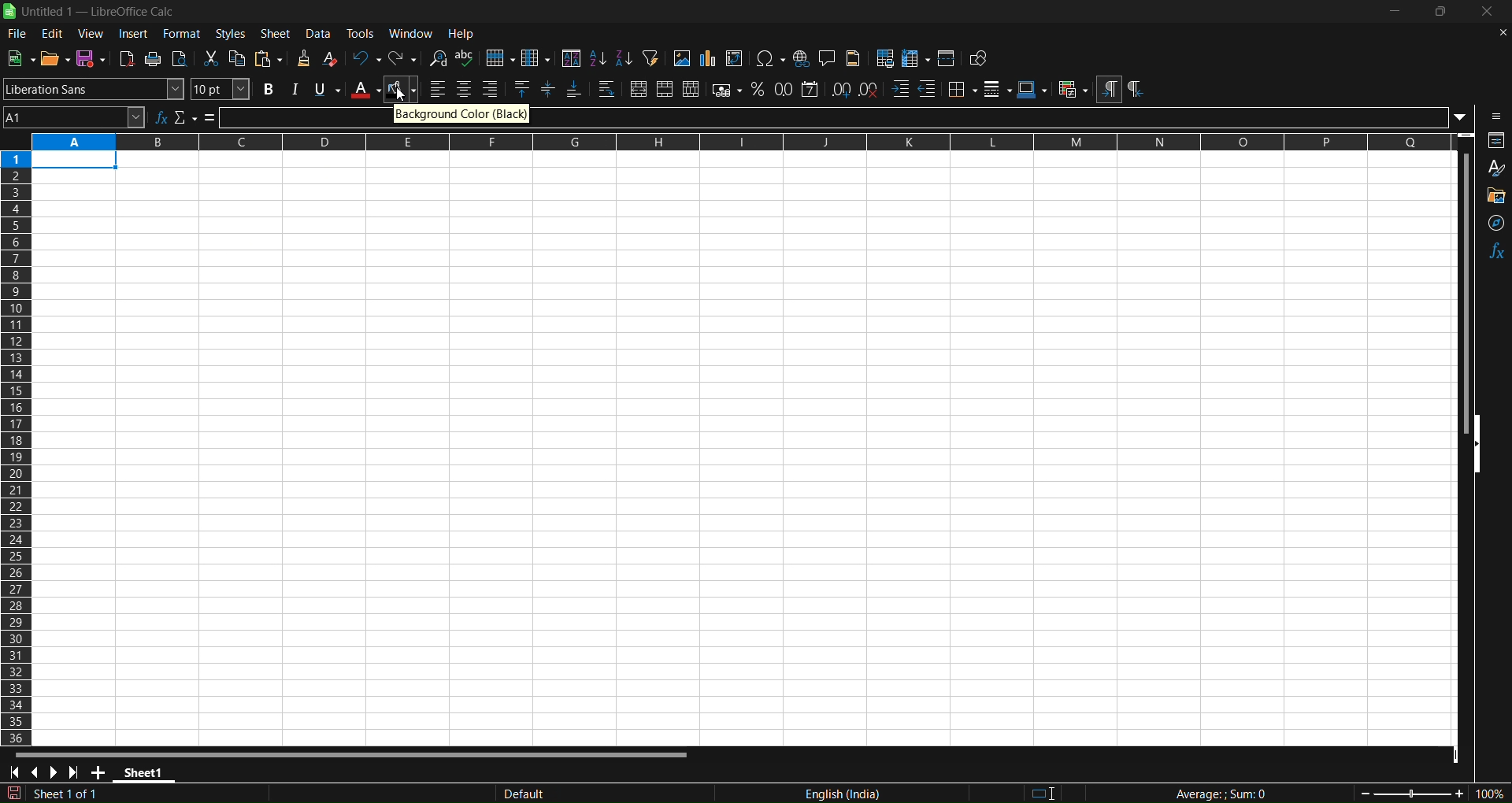  Describe the element at coordinates (1498, 34) in the screenshot. I see `close document` at that location.